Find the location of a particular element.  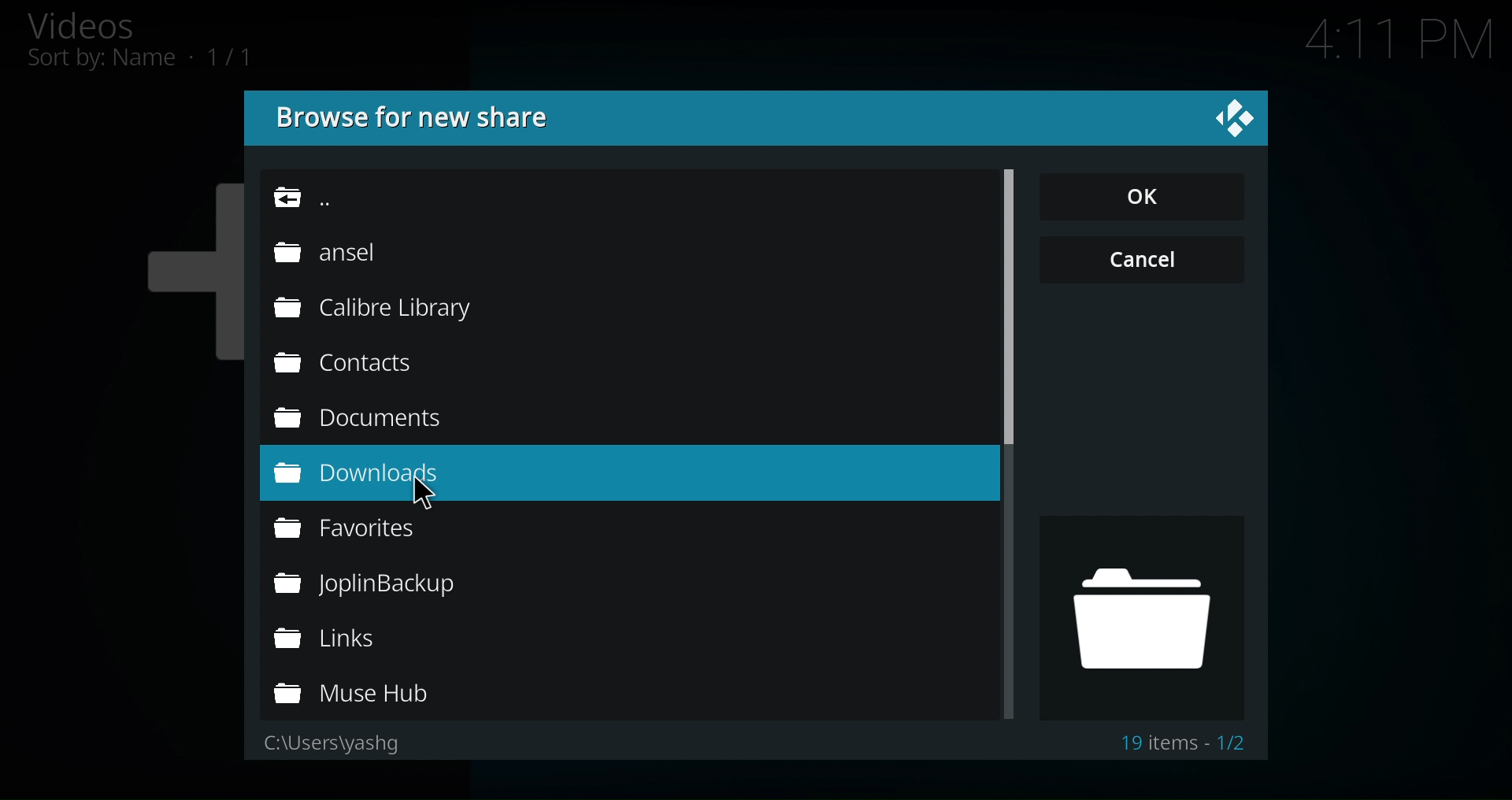

Favorites is located at coordinates (376, 527).